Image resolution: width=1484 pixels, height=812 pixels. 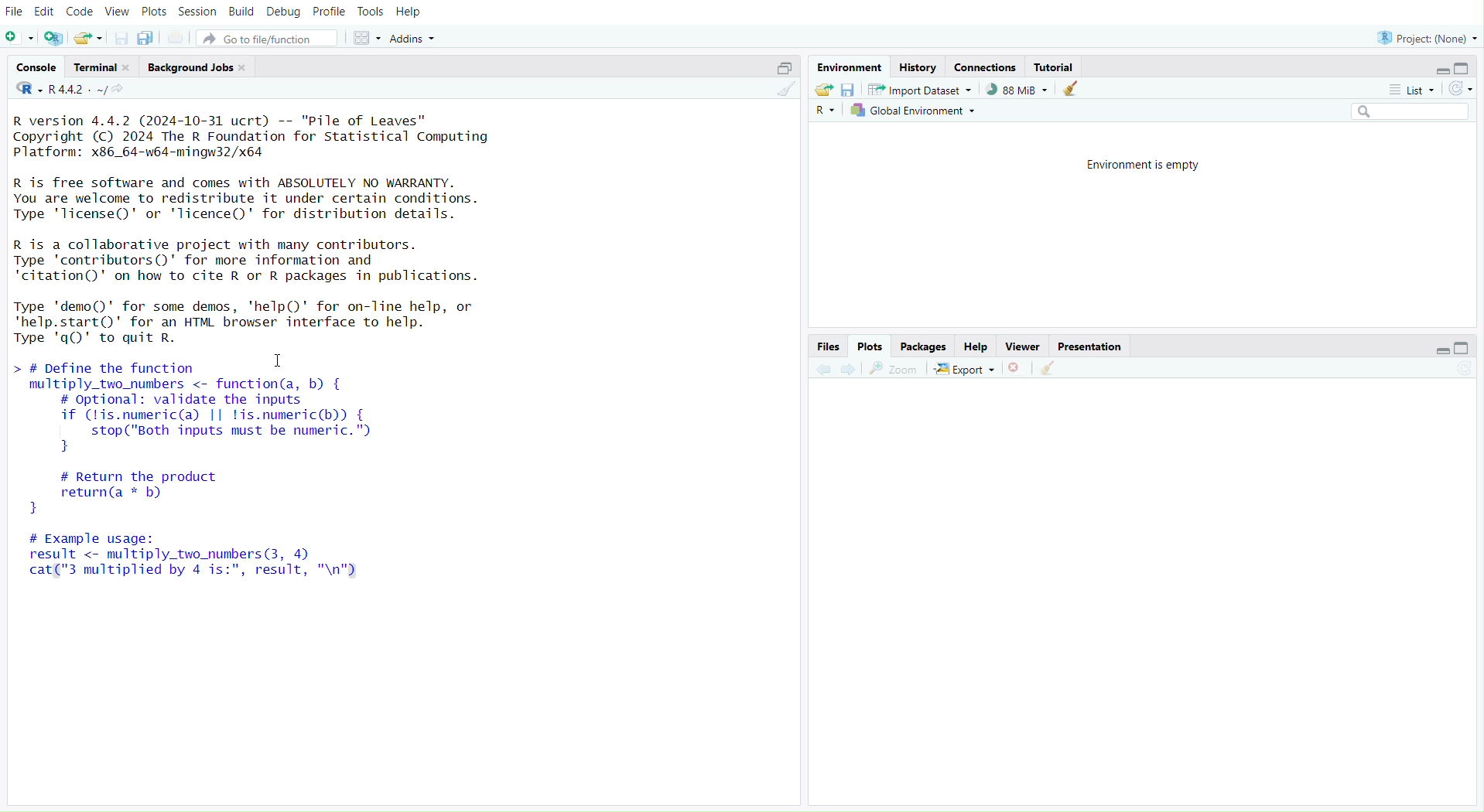 I want to click on R, so click(x=826, y=111).